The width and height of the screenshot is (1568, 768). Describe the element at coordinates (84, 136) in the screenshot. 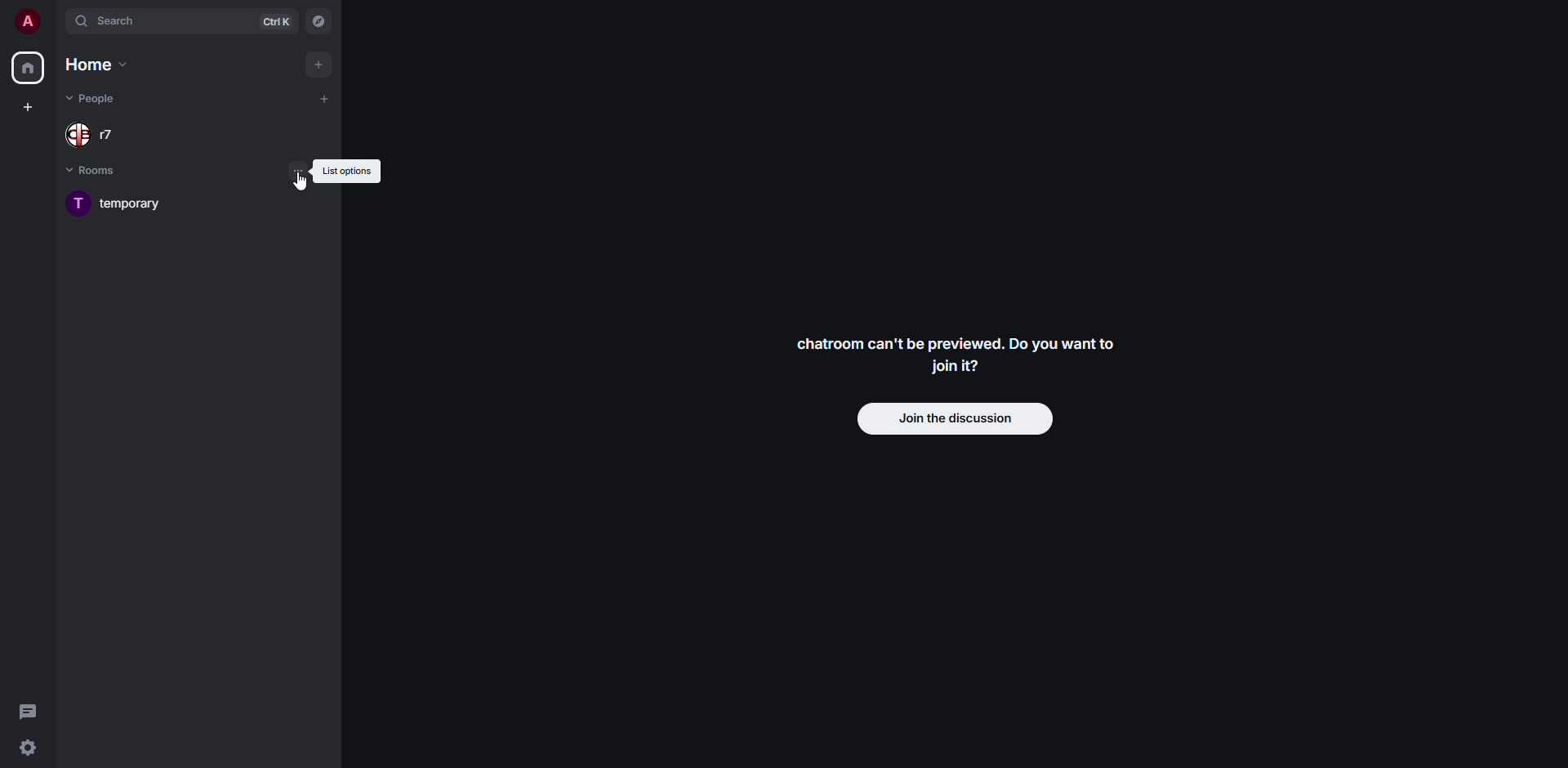

I see `people` at that location.